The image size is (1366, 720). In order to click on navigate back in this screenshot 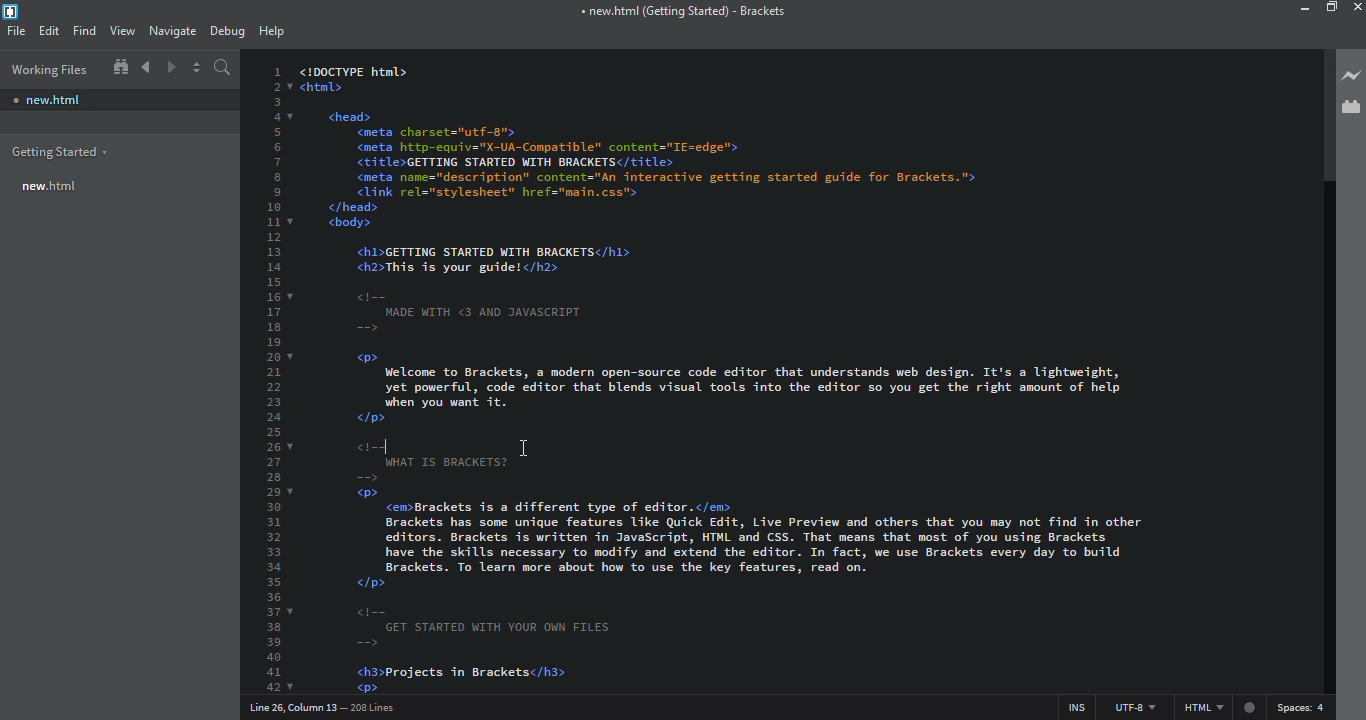, I will do `click(146, 67)`.